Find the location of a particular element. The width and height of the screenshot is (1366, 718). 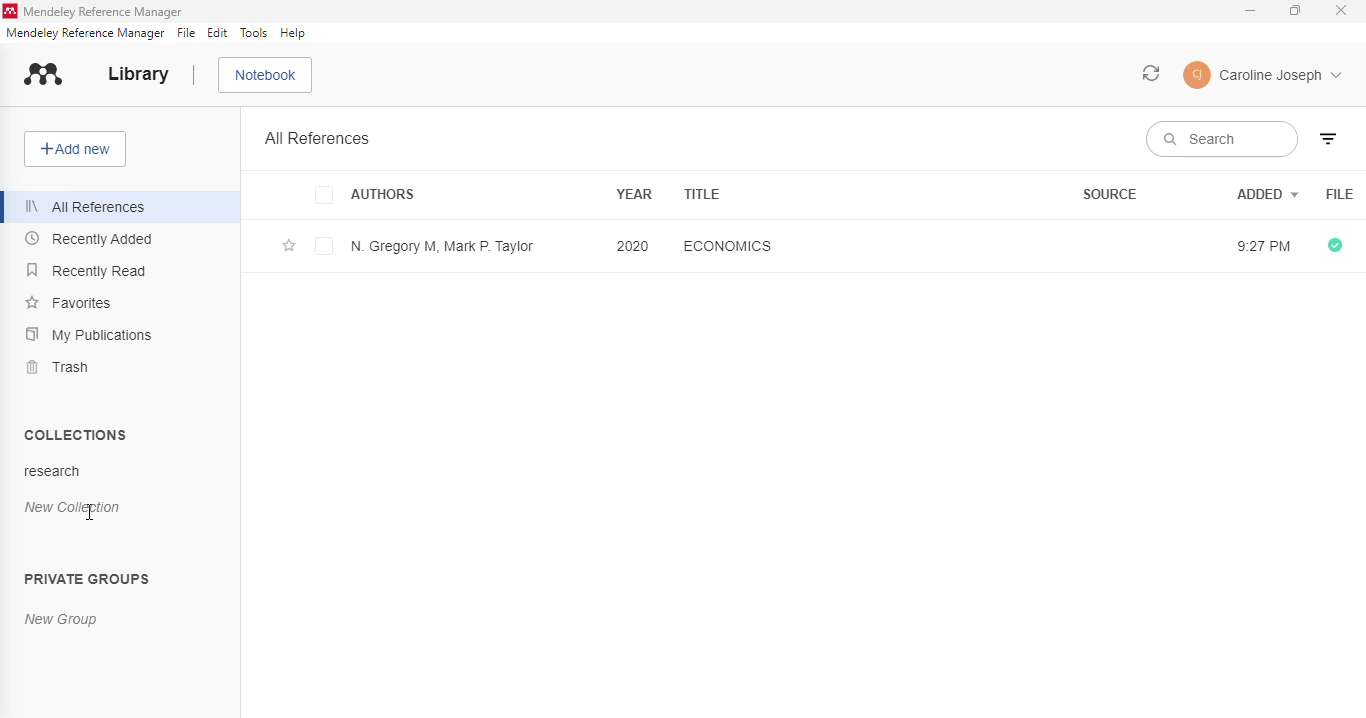

new group is located at coordinates (62, 620).